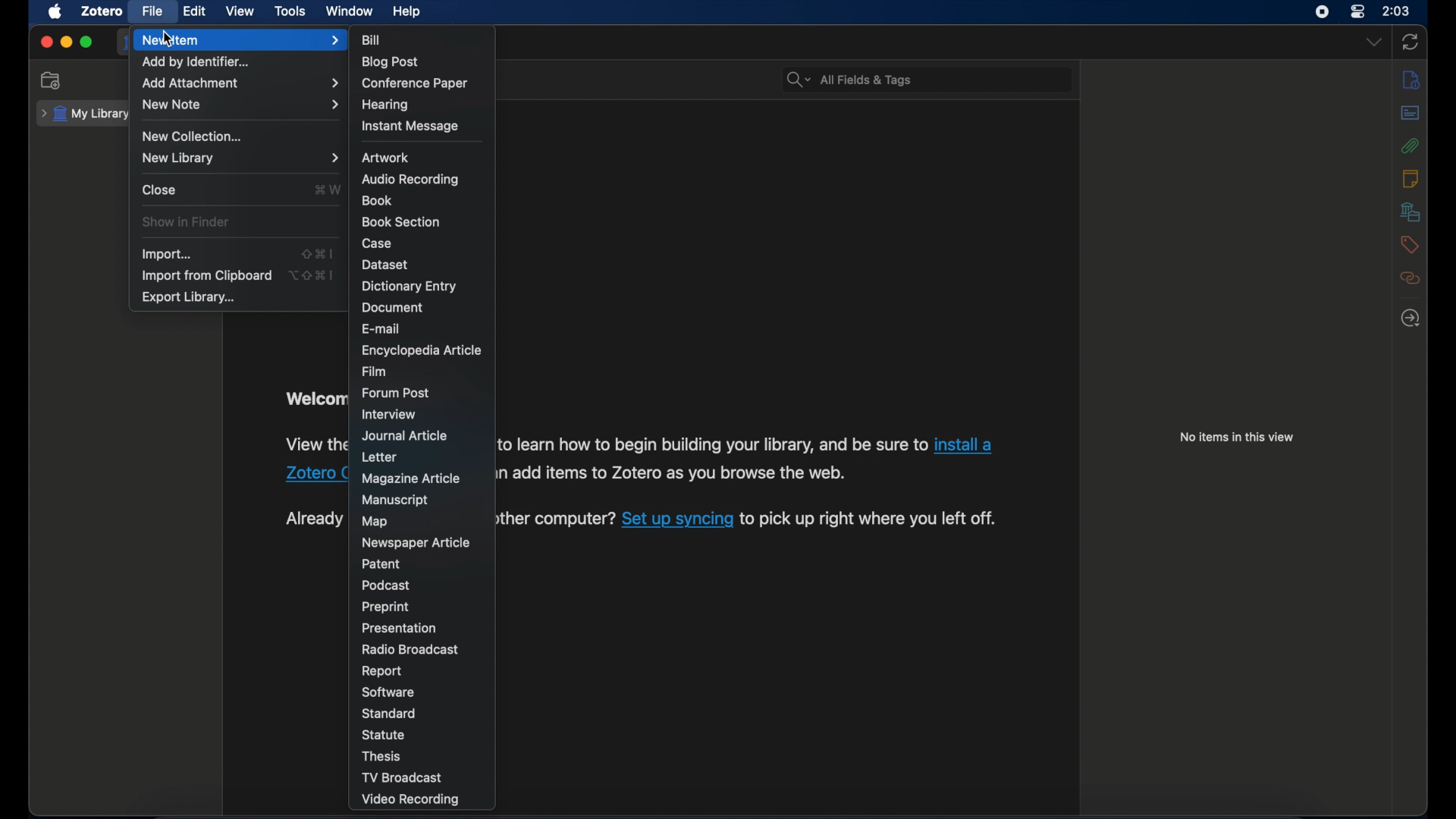 The image size is (1456, 819). What do you see at coordinates (197, 64) in the screenshot?
I see `add by identifier` at bounding box center [197, 64].